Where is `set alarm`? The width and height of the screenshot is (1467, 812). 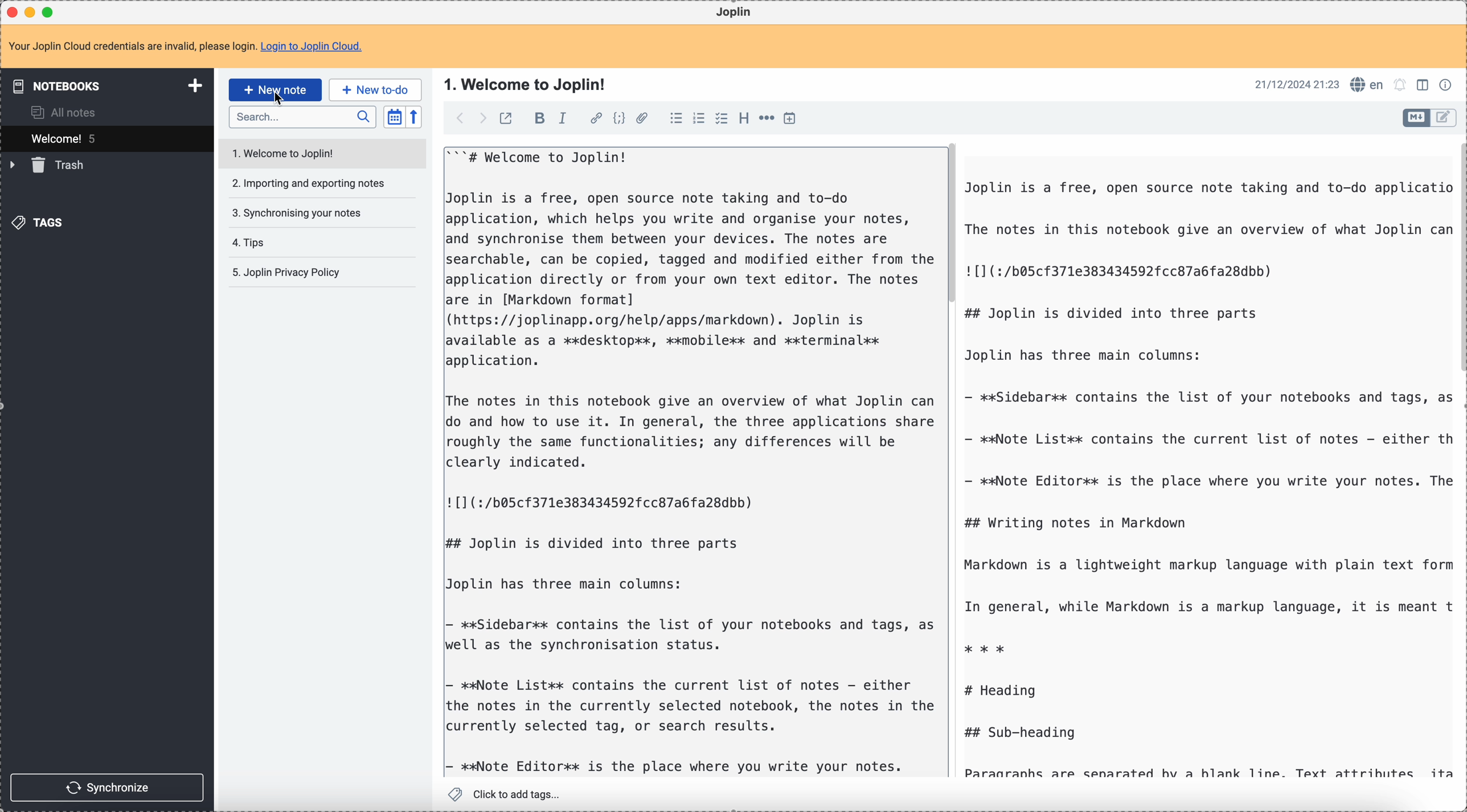
set alarm is located at coordinates (1400, 85).